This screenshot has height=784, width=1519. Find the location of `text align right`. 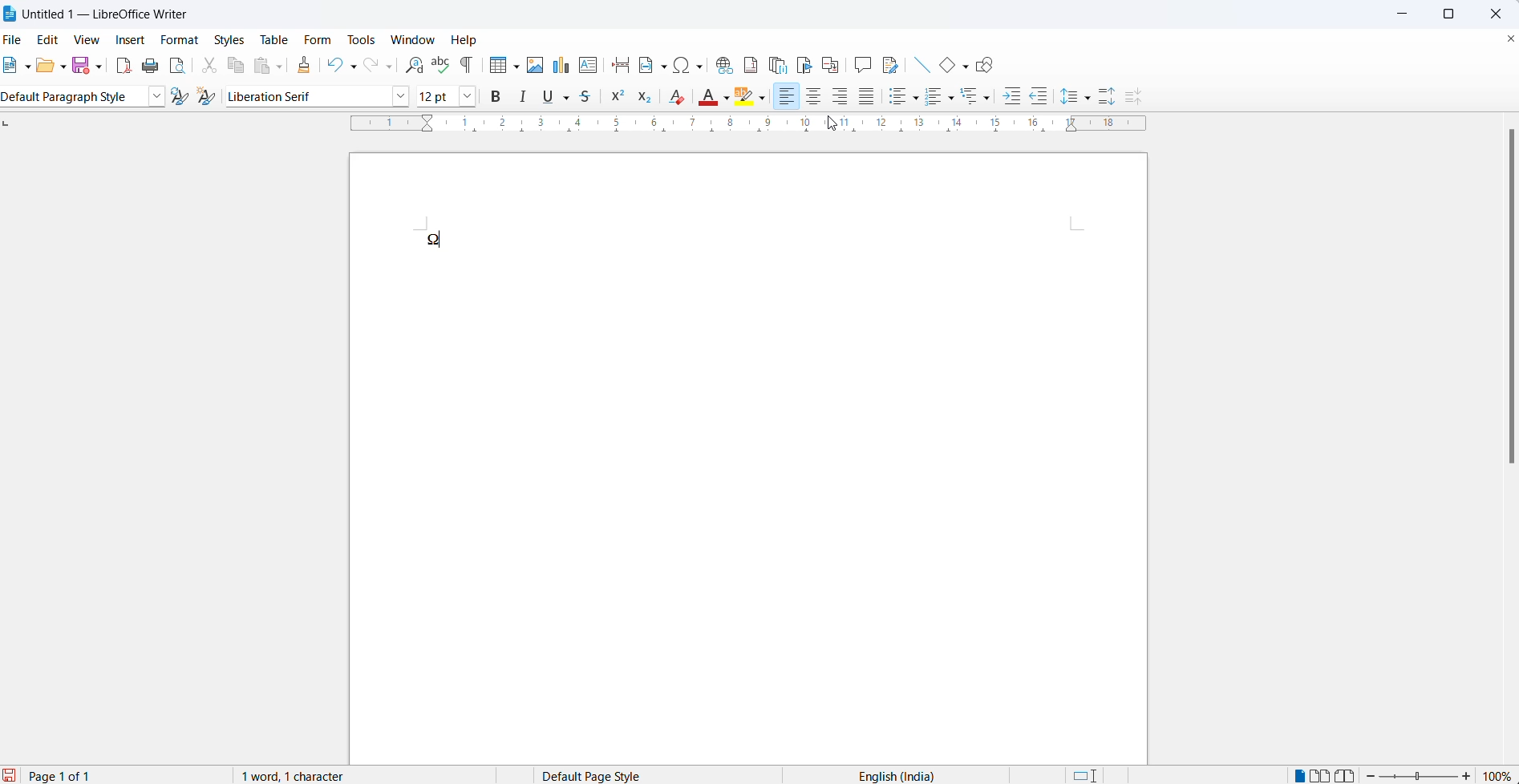

text align right is located at coordinates (841, 98).